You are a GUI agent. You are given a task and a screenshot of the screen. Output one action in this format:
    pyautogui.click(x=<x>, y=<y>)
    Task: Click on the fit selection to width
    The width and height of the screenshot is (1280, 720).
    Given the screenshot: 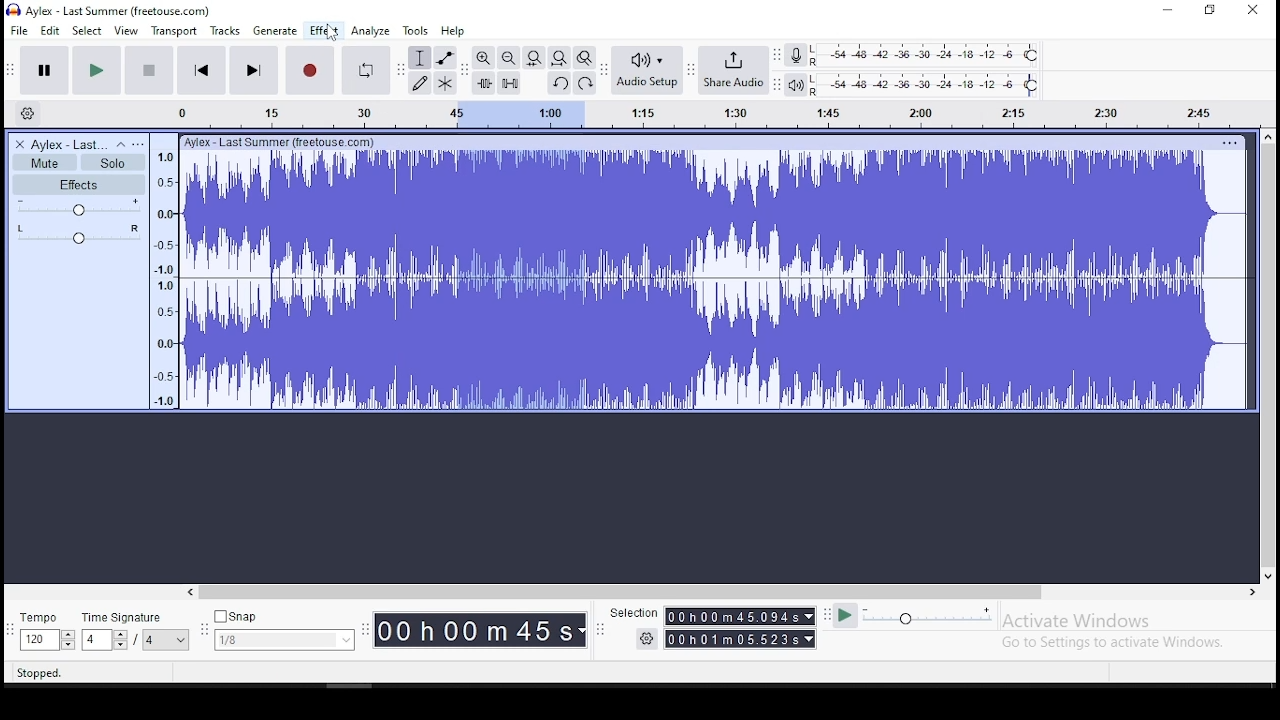 What is the action you would take?
    pyautogui.click(x=533, y=58)
    